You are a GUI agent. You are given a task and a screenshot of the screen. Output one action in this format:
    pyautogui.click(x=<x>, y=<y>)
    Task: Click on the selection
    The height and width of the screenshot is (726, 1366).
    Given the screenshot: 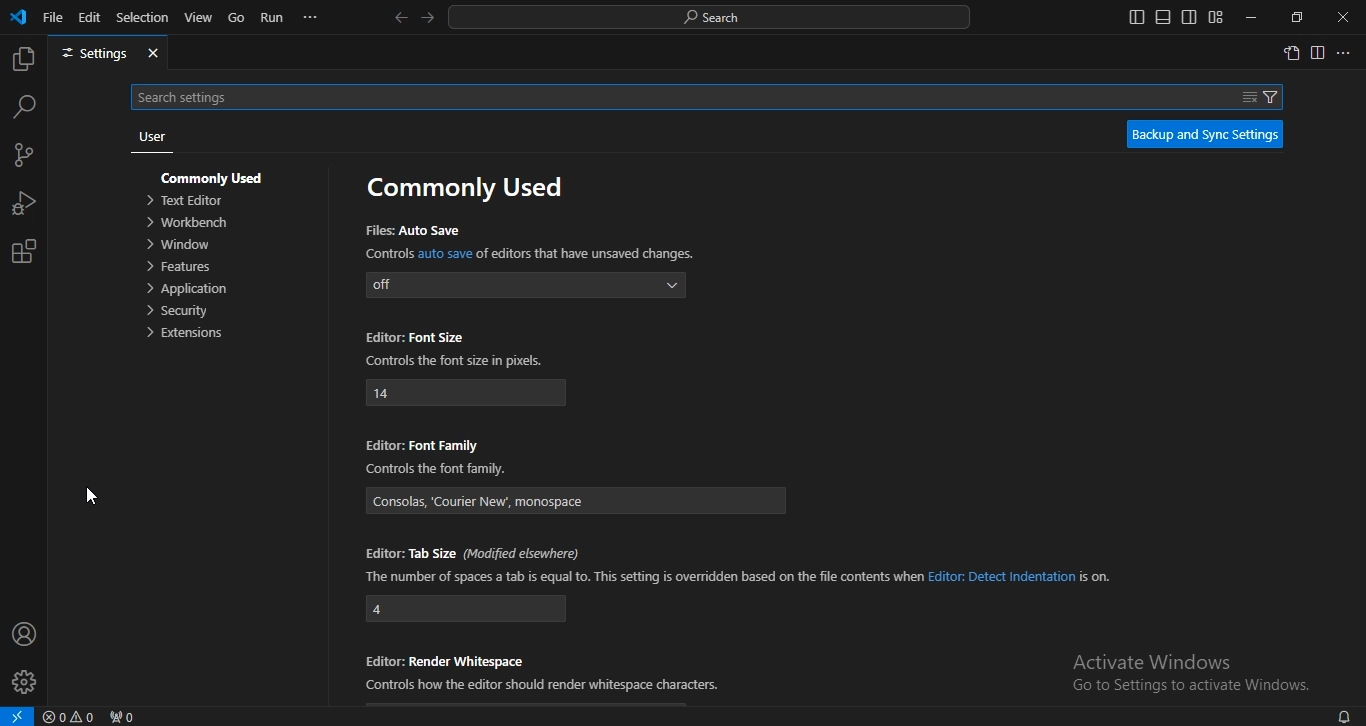 What is the action you would take?
    pyautogui.click(x=143, y=16)
    